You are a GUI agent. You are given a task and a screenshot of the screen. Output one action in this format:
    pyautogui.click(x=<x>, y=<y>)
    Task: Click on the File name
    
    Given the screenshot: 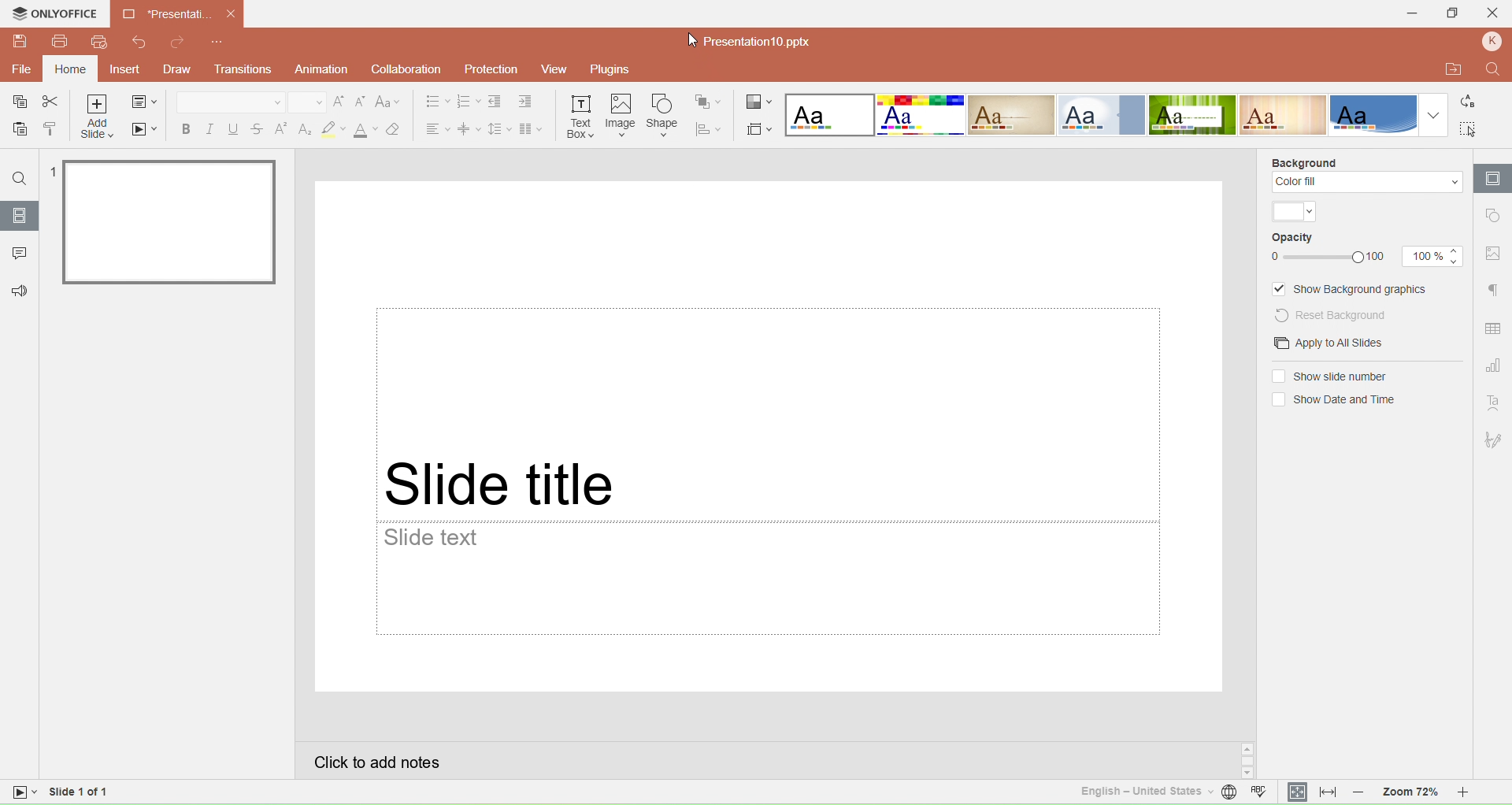 What is the action you would take?
    pyautogui.click(x=750, y=41)
    